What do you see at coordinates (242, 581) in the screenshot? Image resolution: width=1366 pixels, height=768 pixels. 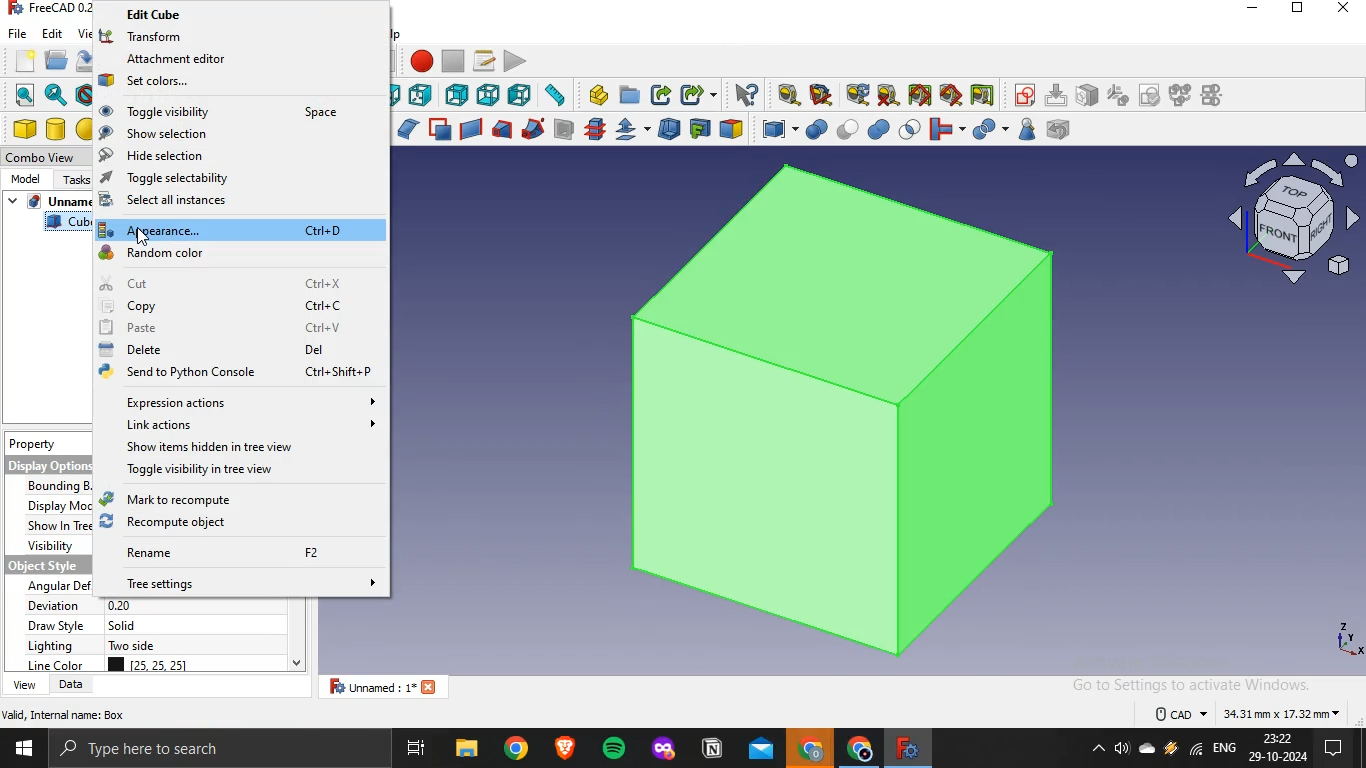 I see `tree settings` at bounding box center [242, 581].